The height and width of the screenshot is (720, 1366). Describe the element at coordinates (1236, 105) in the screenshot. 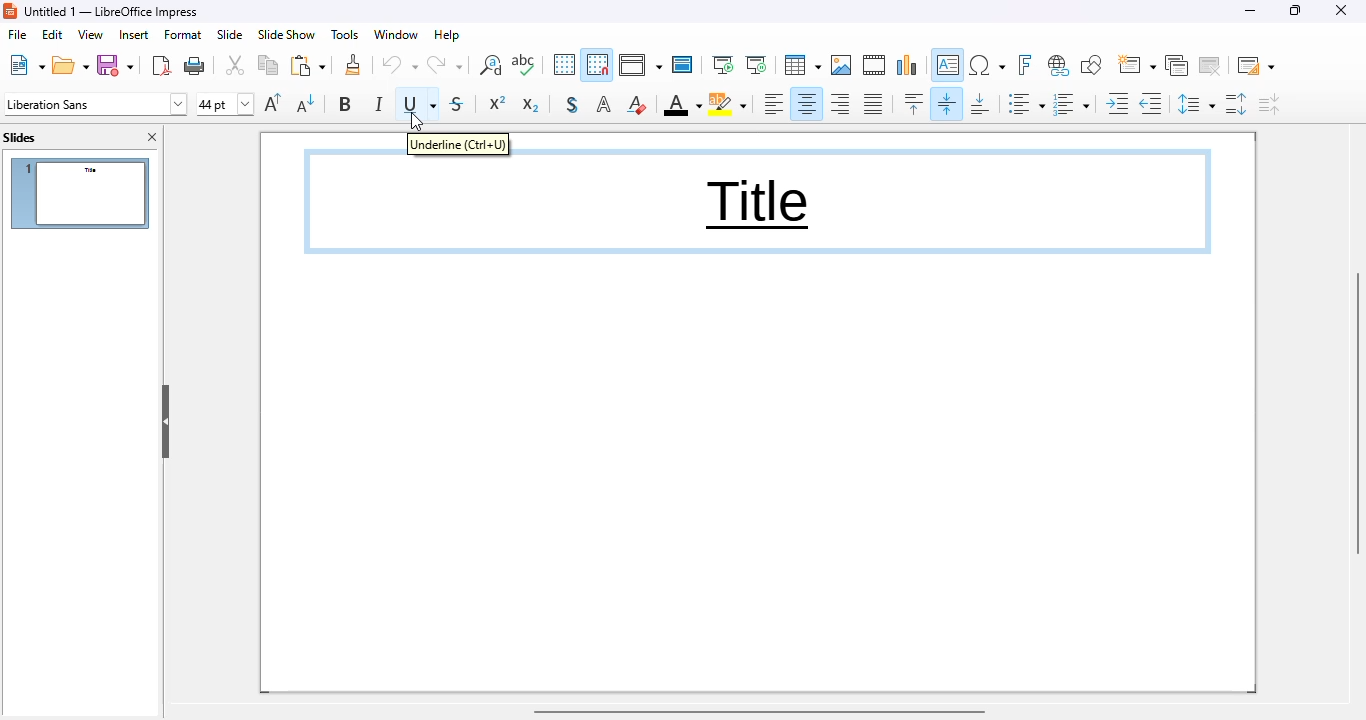

I see `increase paragraph spacing` at that location.